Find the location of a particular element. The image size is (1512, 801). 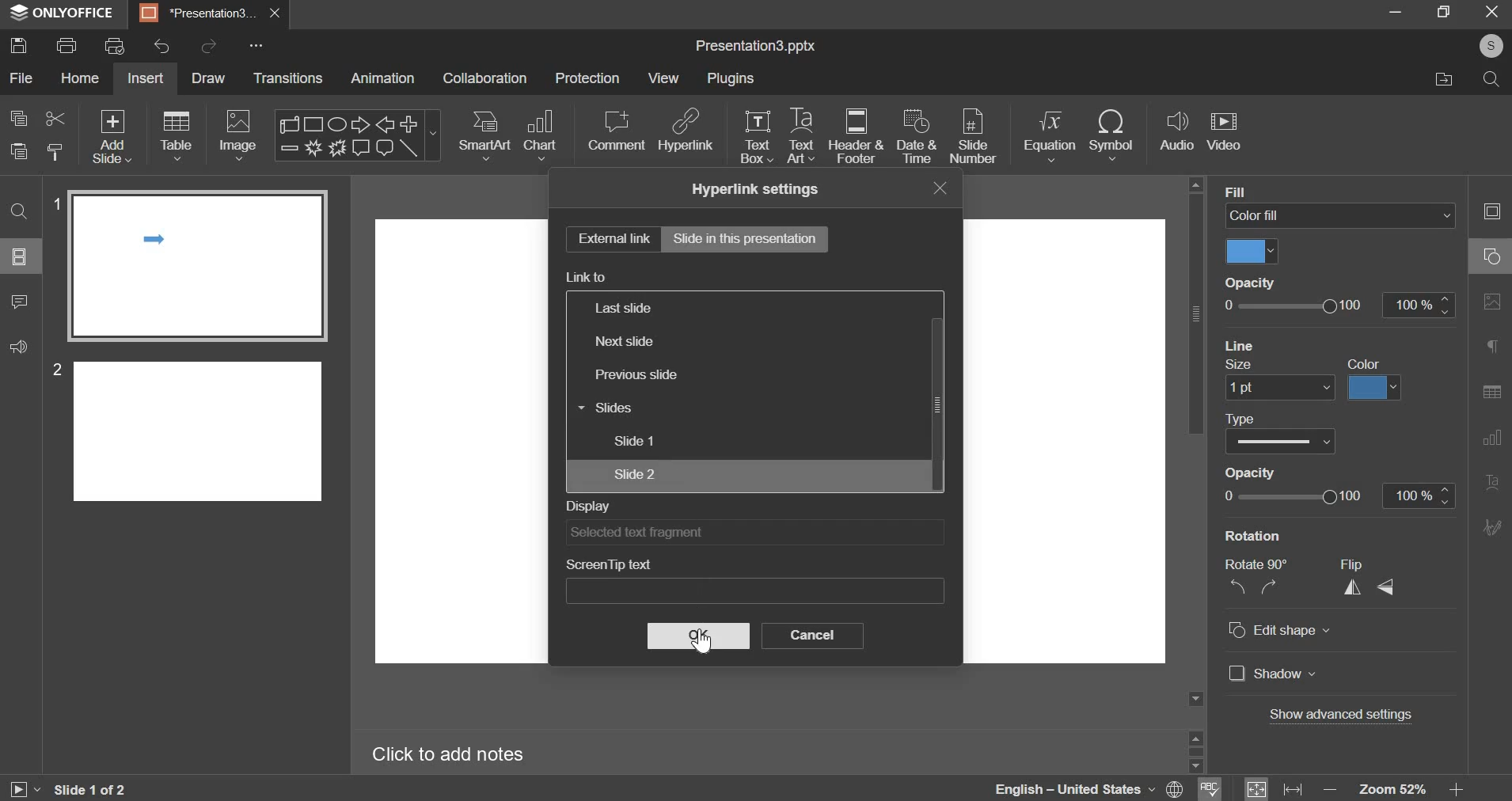

Image settings is located at coordinates (1492, 302).